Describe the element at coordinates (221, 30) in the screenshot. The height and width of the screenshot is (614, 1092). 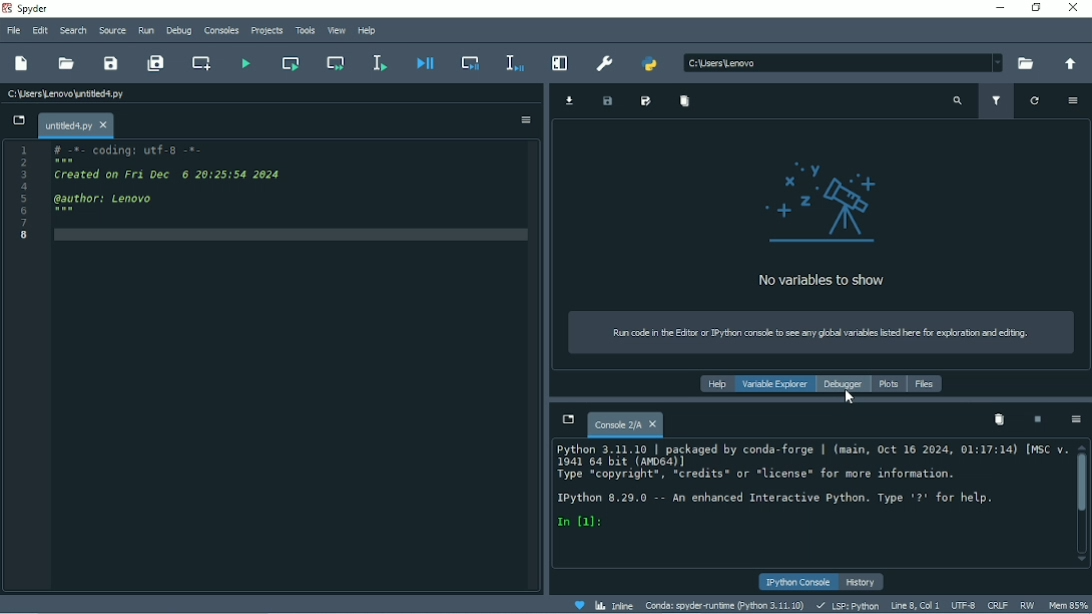
I see `Consoles` at that location.